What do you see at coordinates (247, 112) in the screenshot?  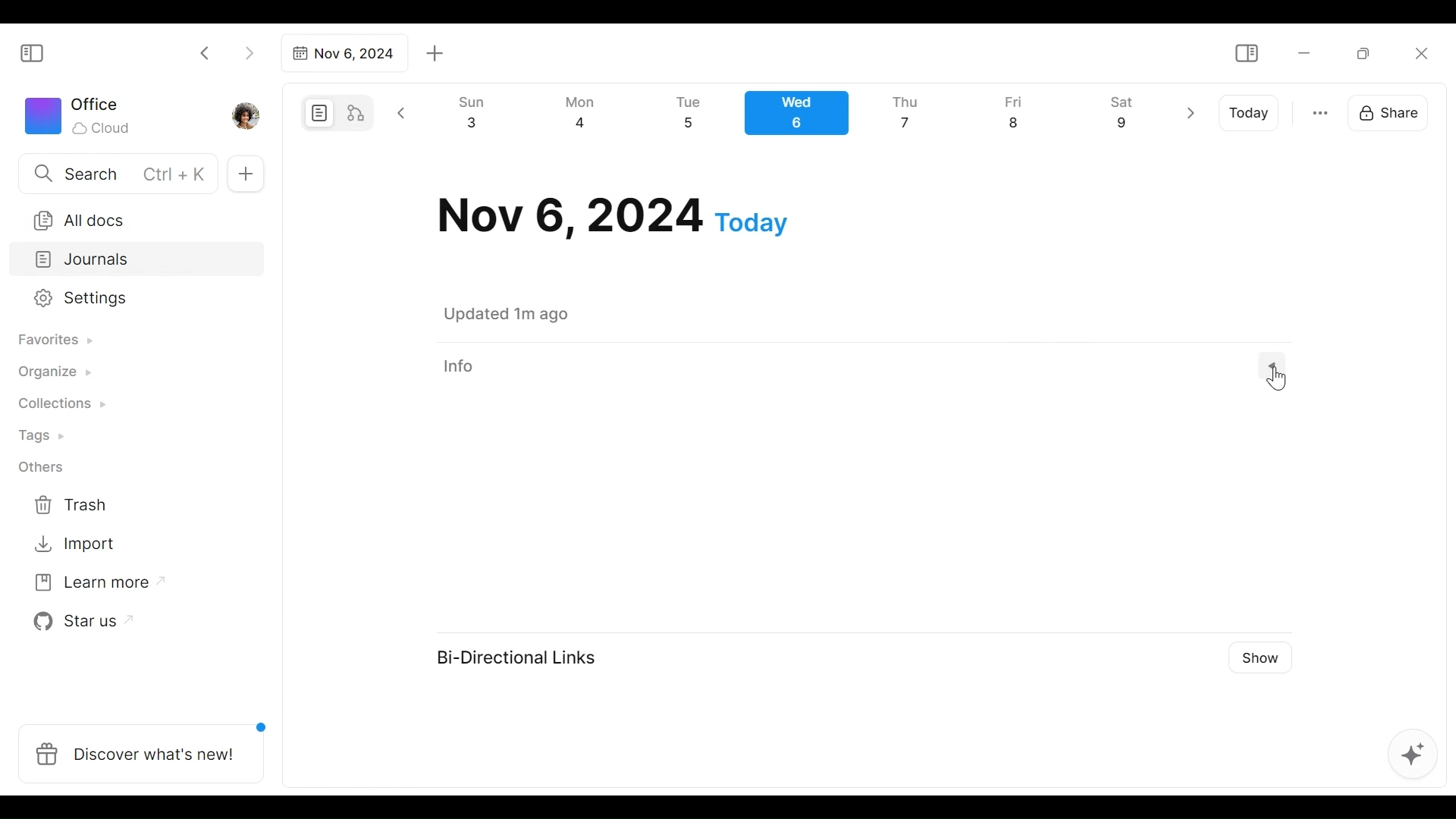 I see `Profile photo` at bounding box center [247, 112].